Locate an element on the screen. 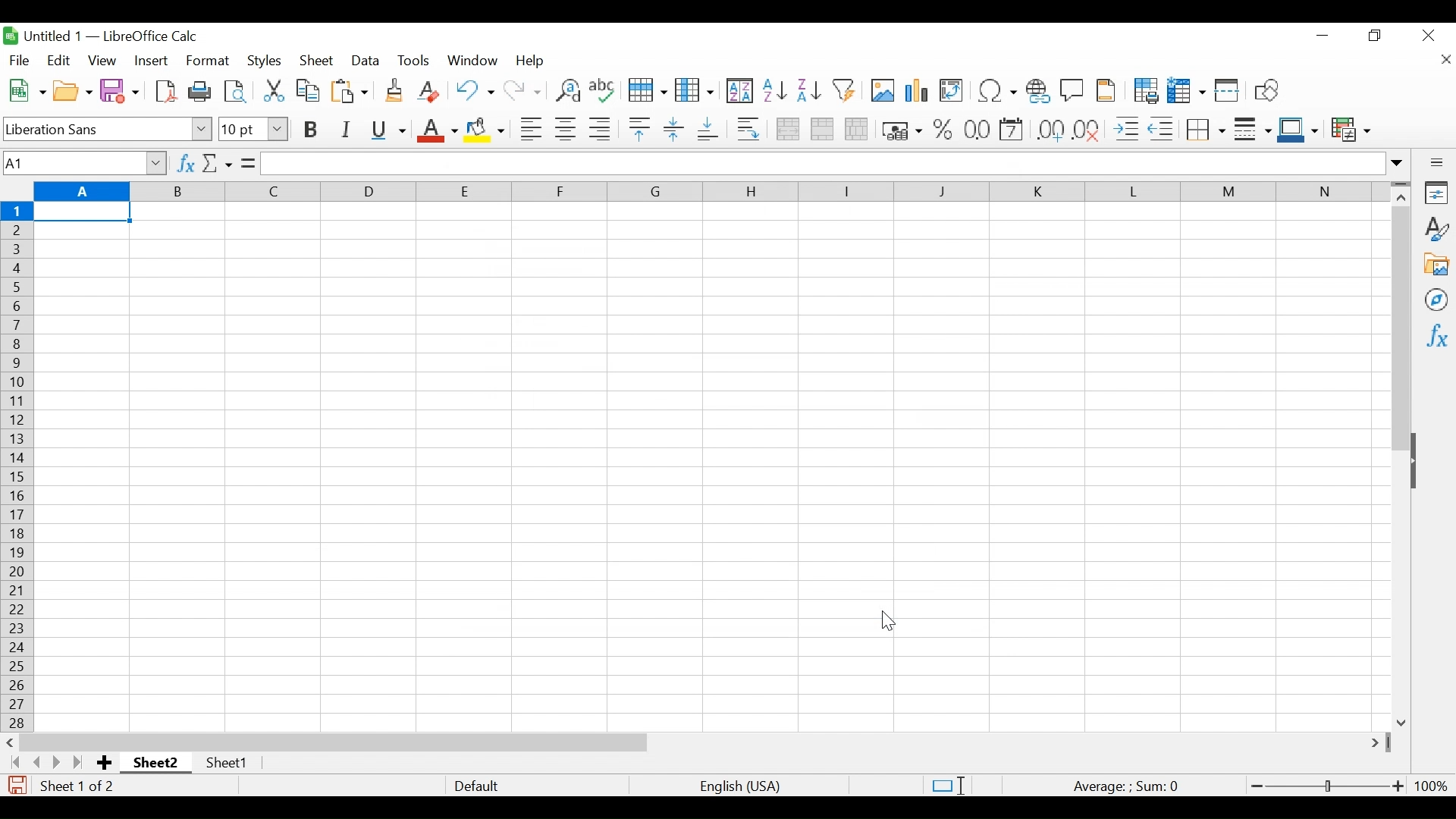  Format as Date is located at coordinates (977, 131).